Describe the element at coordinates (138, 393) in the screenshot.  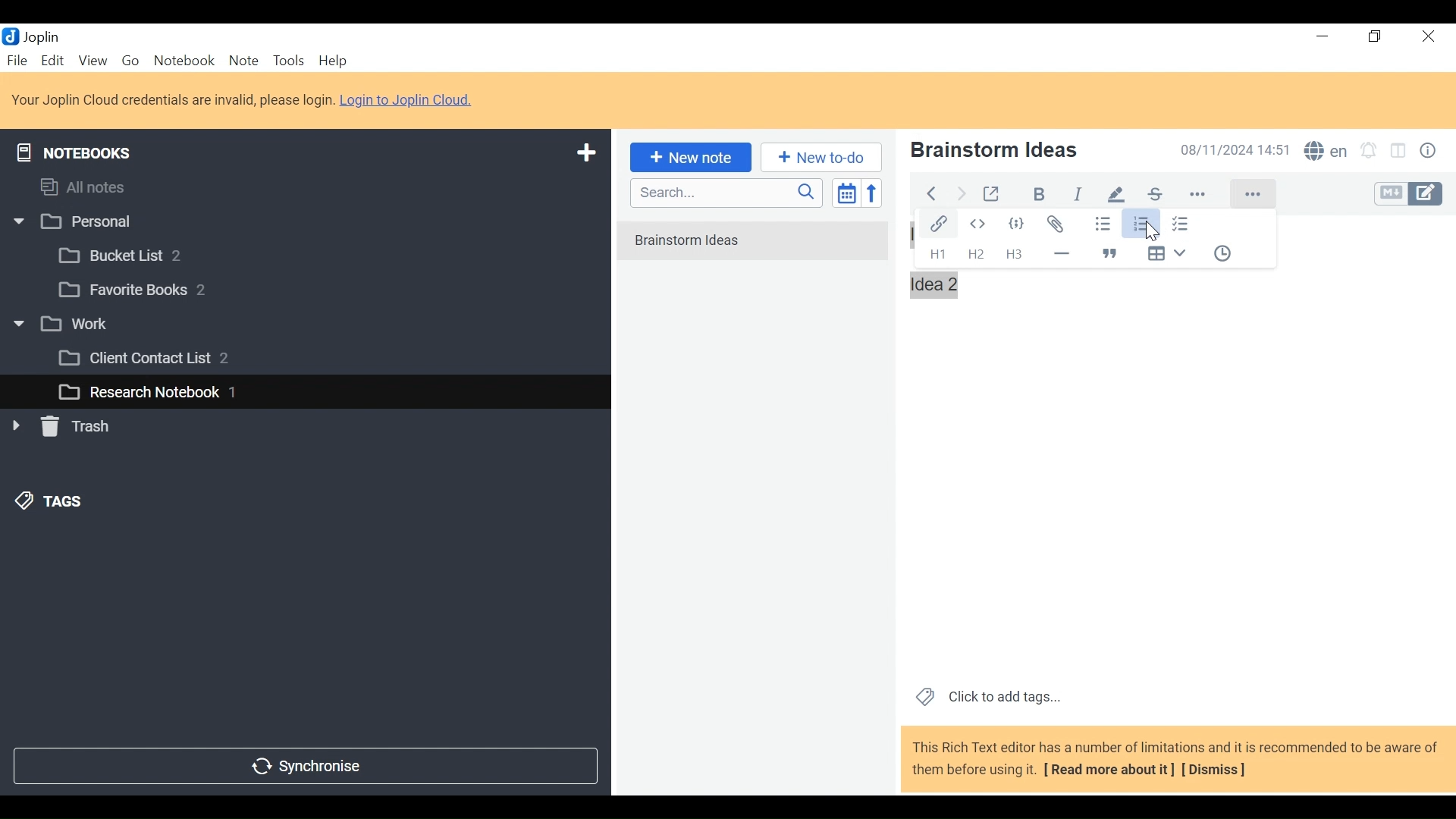
I see `L_] Research Notebook` at that location.